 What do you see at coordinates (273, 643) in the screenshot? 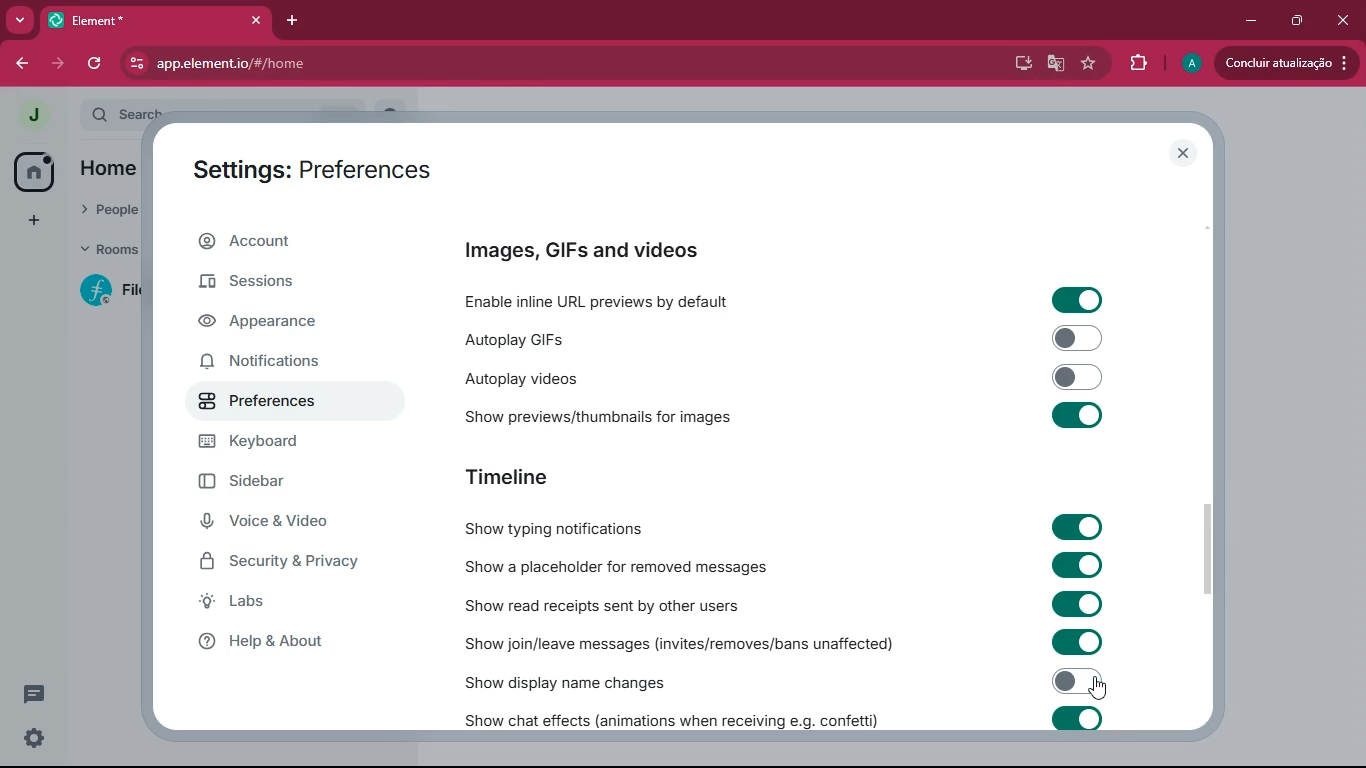
I see `help & about` at bounding box center [273, 643].